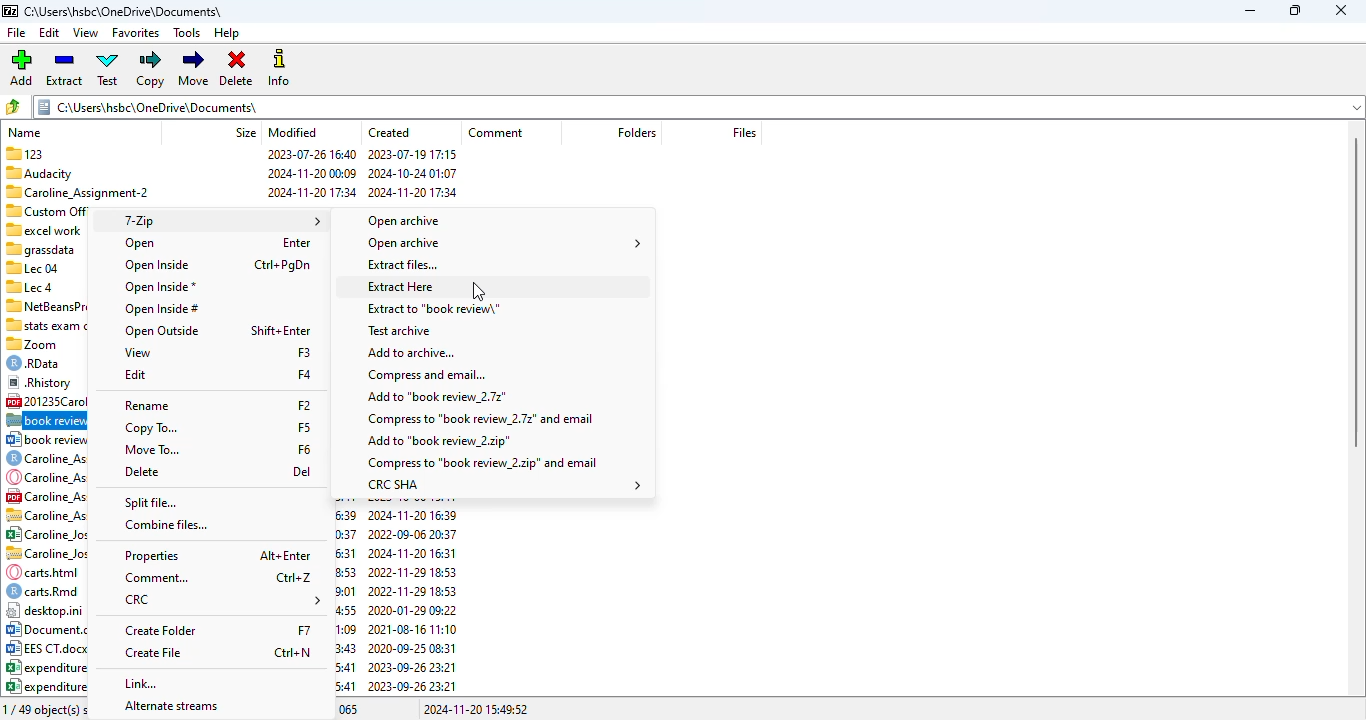 This screenshot has width=1366, height=720. What do you see at coordinates (474, 709) in the screenshot?
I see `2024-11-20 15:49` at bounding box center [474, 709].